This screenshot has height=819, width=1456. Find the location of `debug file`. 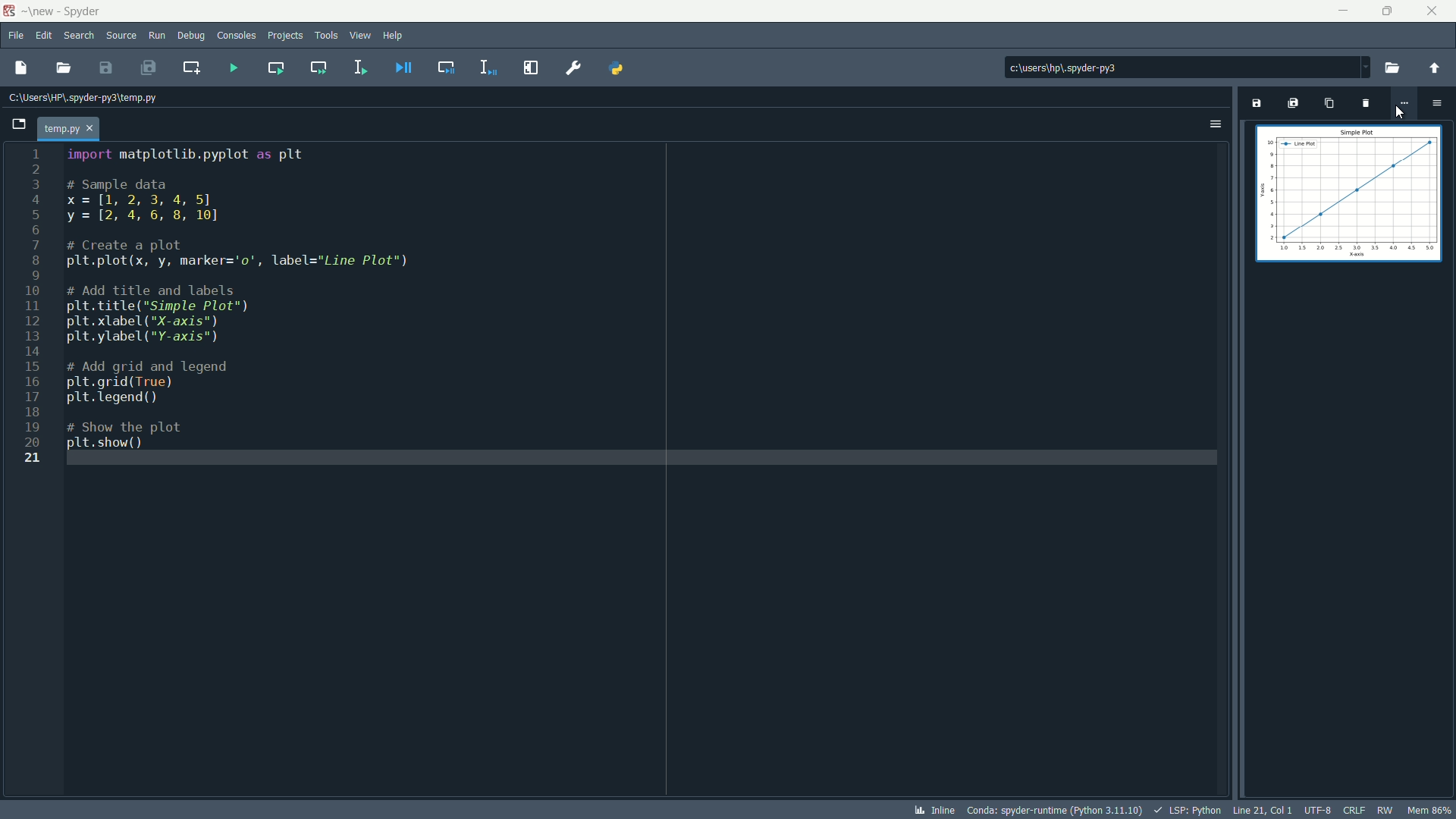

debug file is located at coordinates (403, 67).